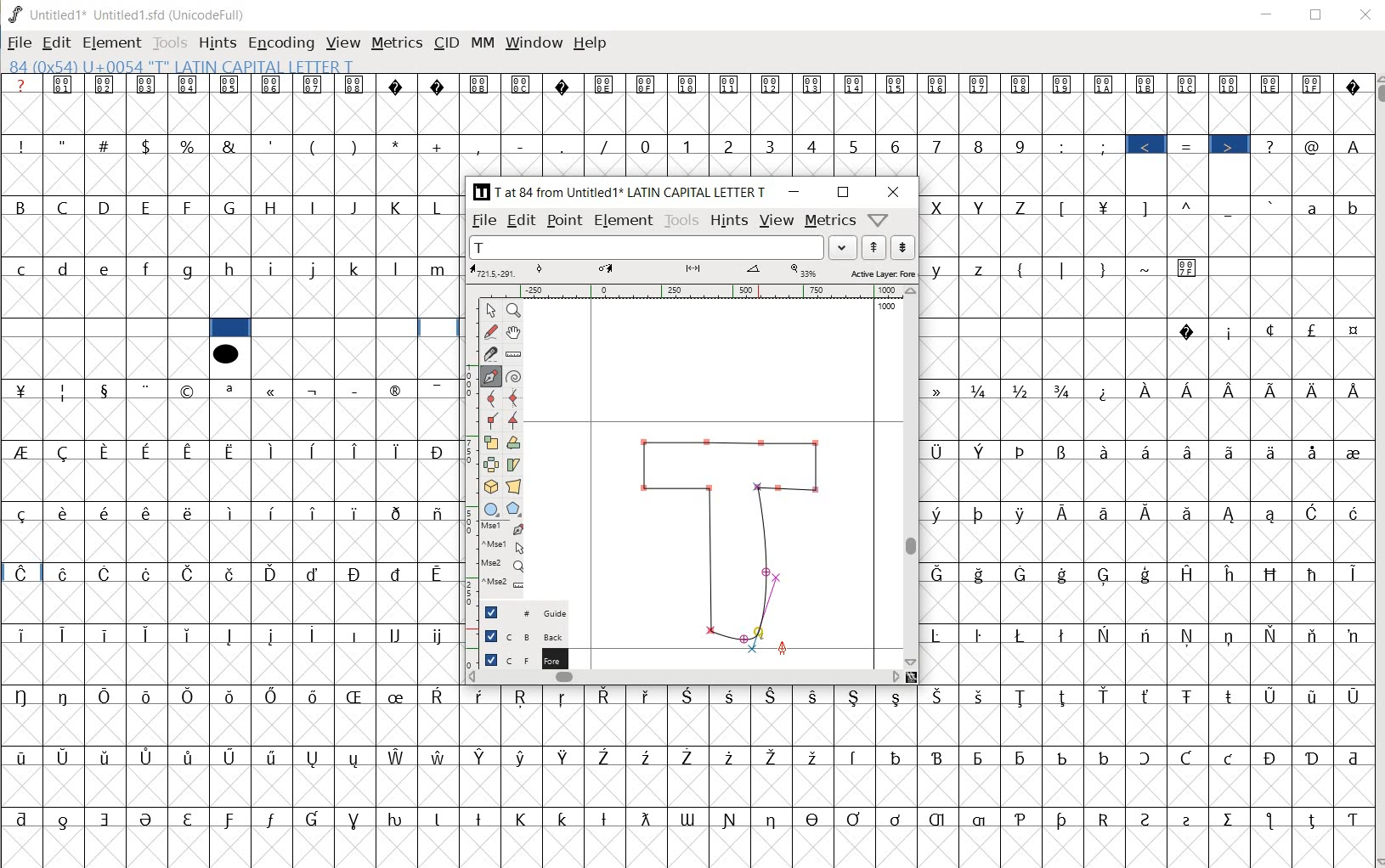  What do you see at coordinates (21, 389) in the screenshot?
I see `Symbol` at bounding box center [21, 389].